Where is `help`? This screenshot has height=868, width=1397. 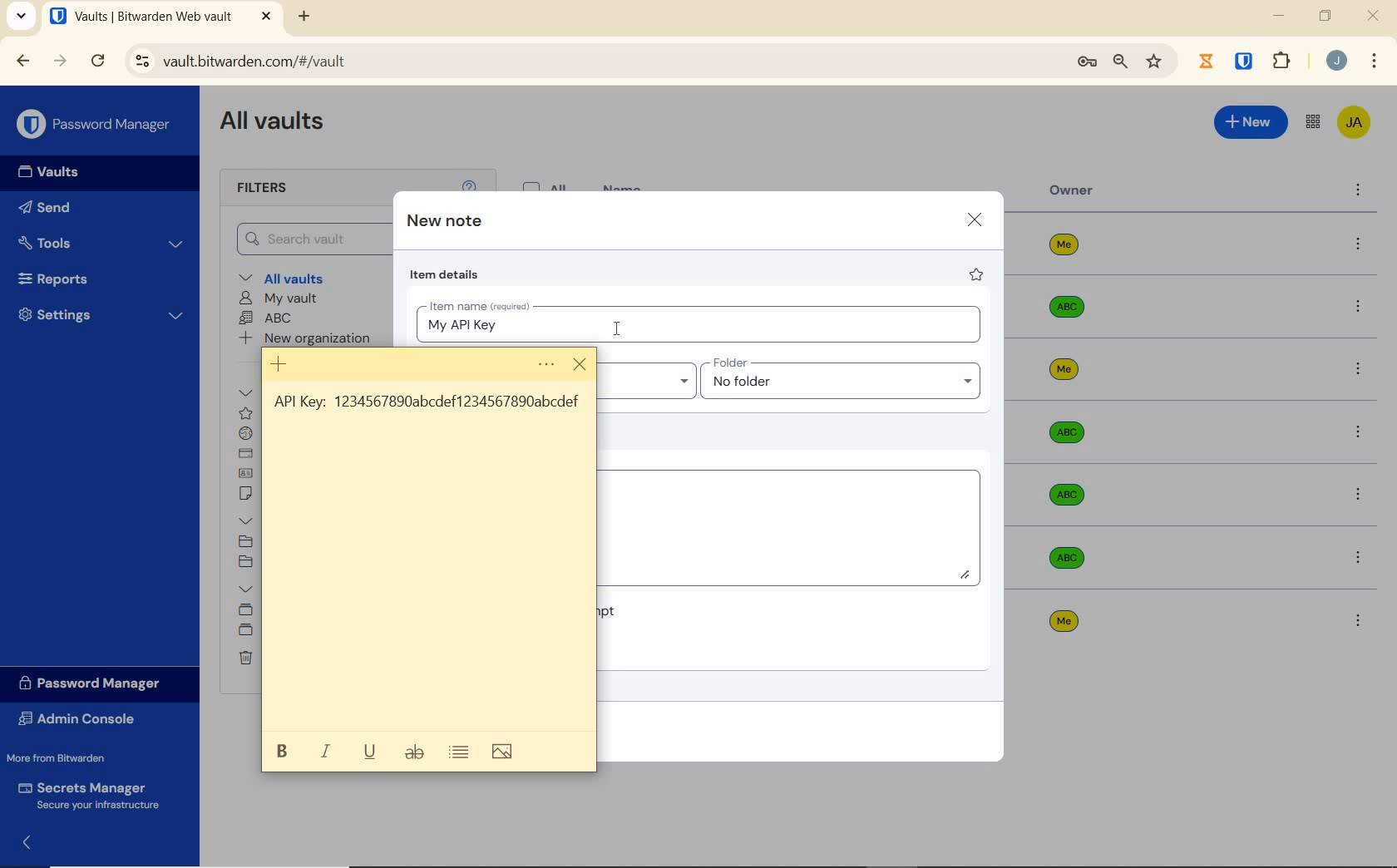 help is located at coordinates (469, 184).